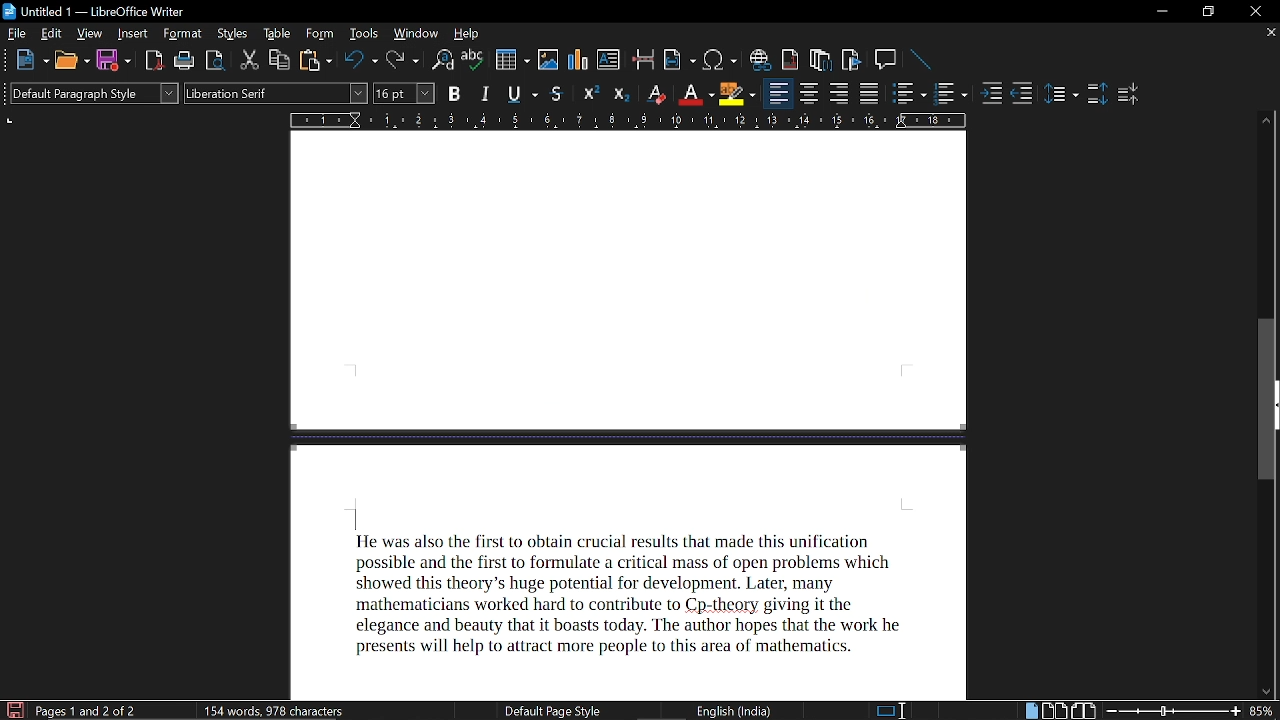 The width and height of the screenshot is (1280, 720). Describe the element at coordinates (513, 61) in the screenshot. I see `Insert table` at that location.